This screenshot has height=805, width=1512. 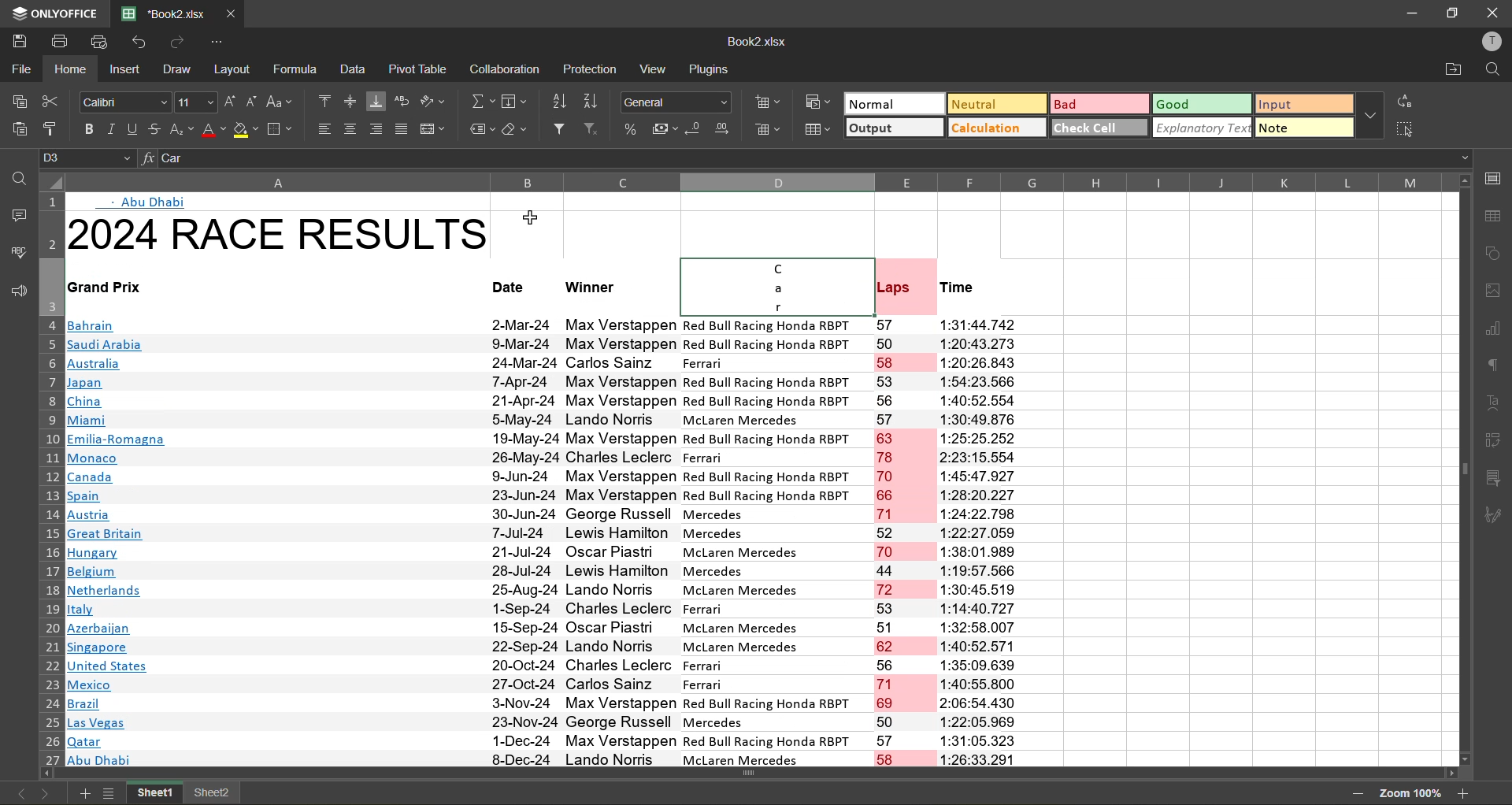 What do you see at coordinates (806, 158) in the screenshot?
I see `formula bar` at bounding box center [806, 158].